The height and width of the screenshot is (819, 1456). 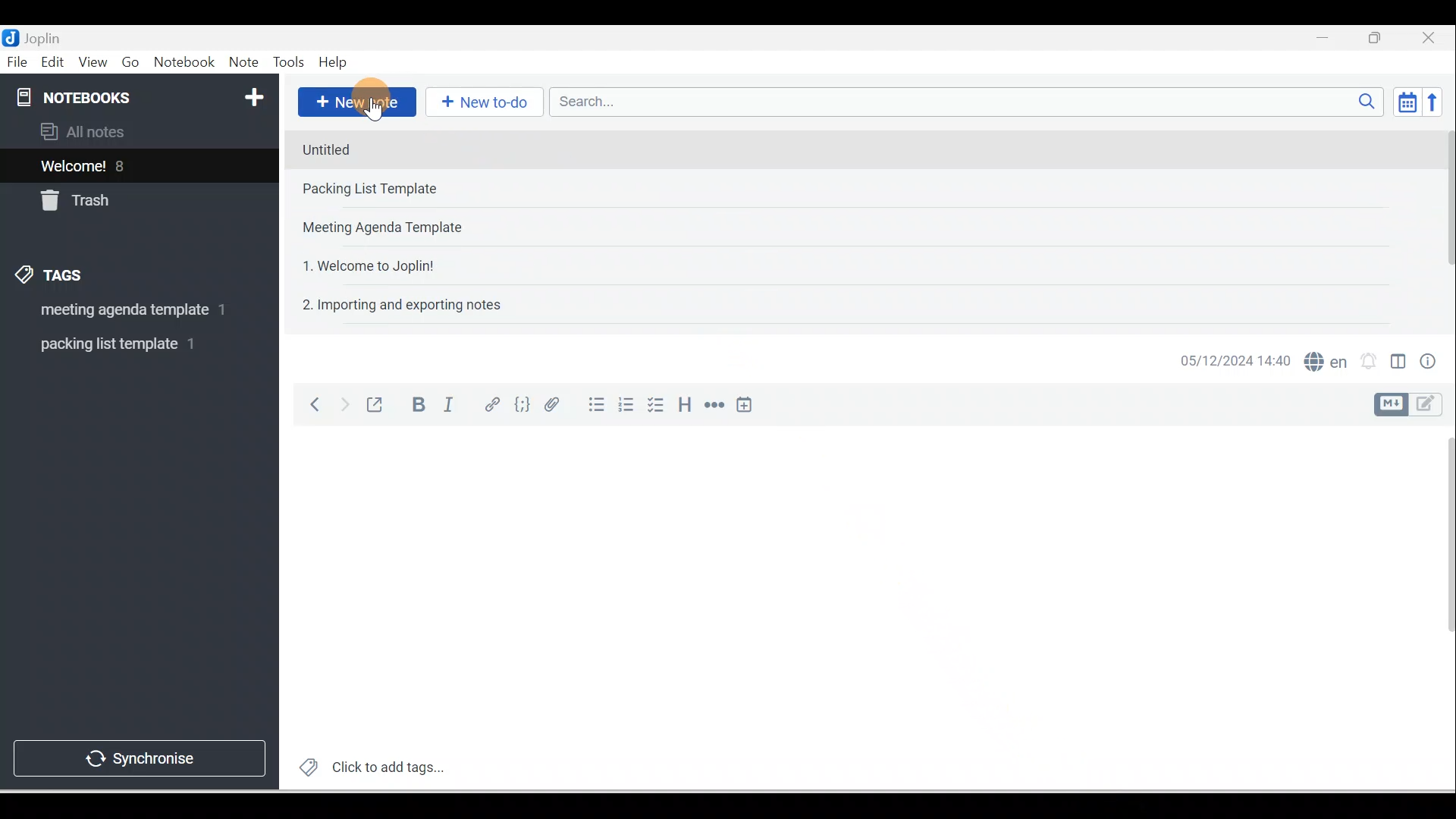 I want to click on Reverse sort, so click(x=1437, y=102).